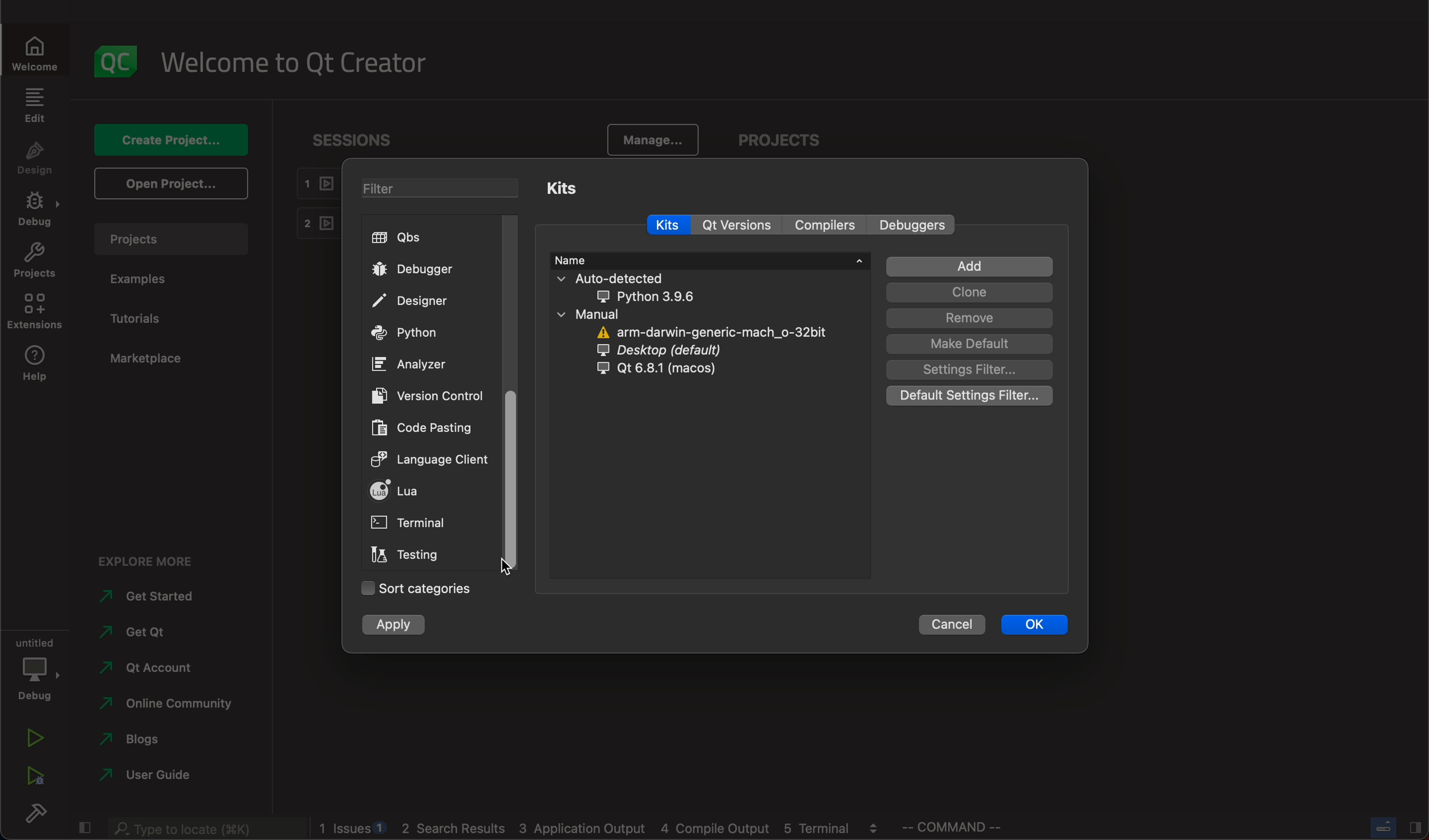  I want to click on open, so click(170, 182).